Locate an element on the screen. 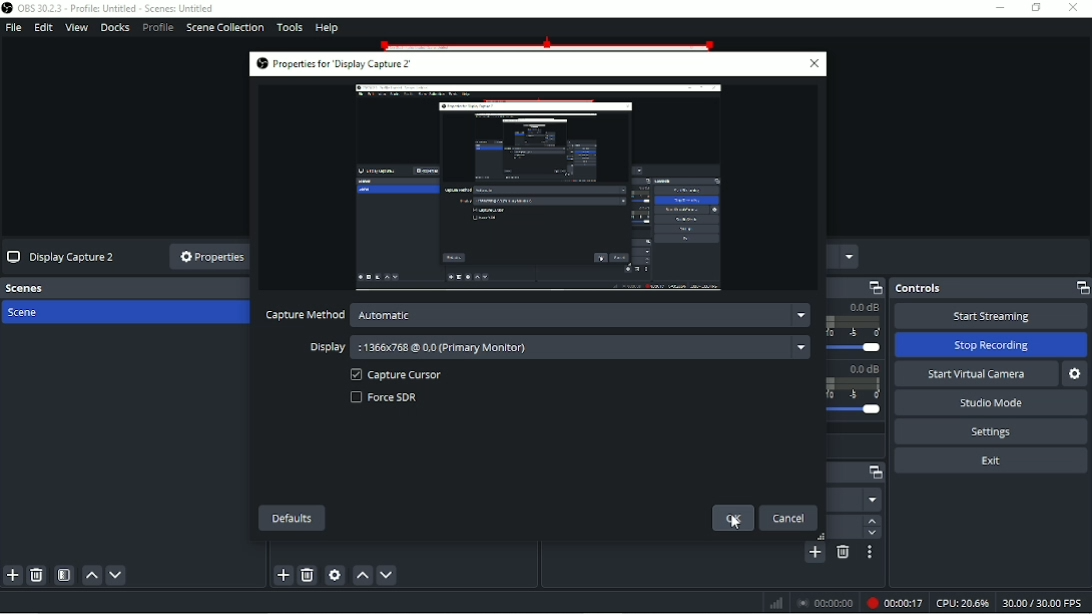 This screenshot has height=614, width=1092. Desktop audio slider is located at coordinates (858, 330).